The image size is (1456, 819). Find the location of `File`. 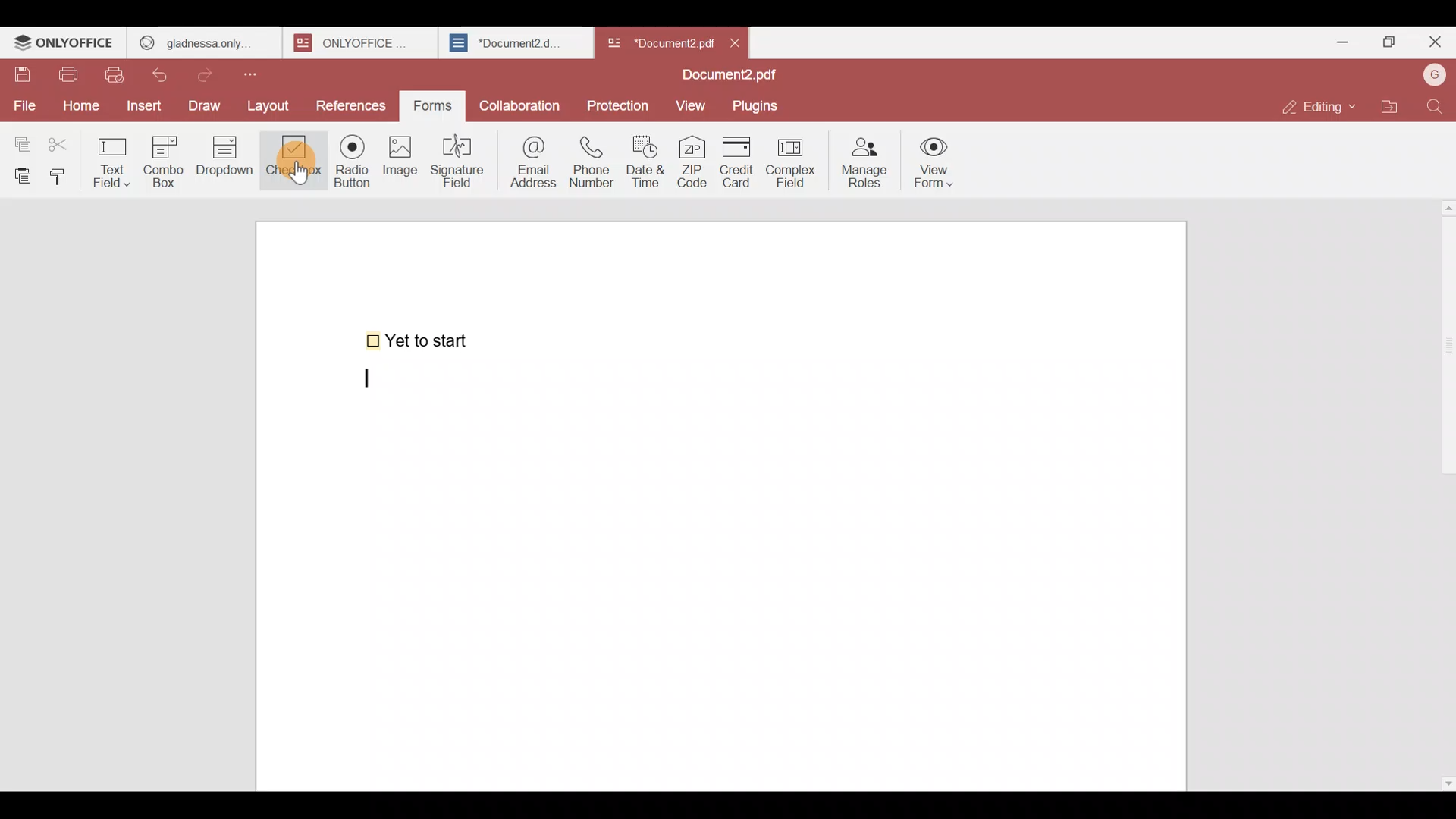

File is located at coordinates (24, 104).